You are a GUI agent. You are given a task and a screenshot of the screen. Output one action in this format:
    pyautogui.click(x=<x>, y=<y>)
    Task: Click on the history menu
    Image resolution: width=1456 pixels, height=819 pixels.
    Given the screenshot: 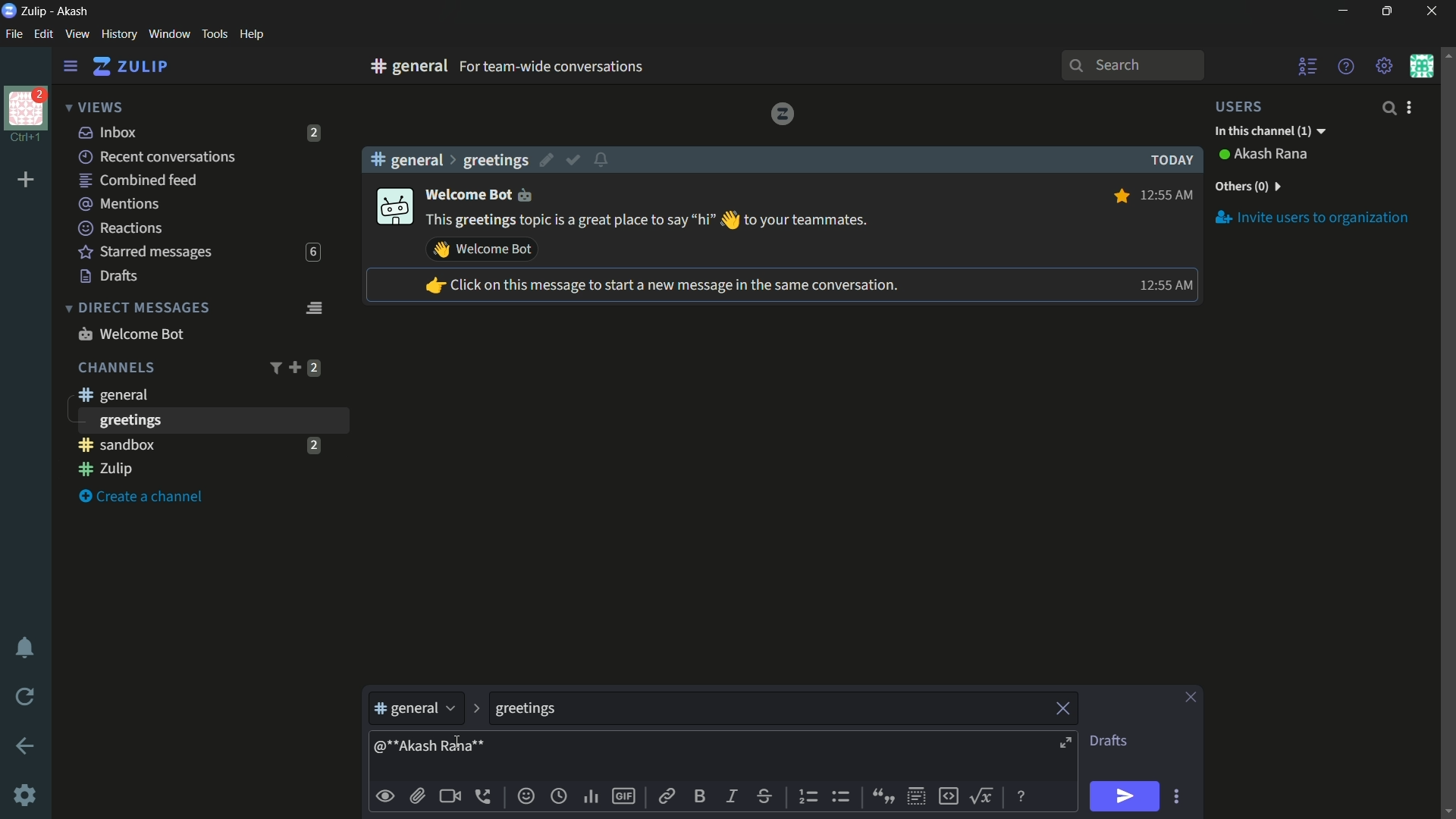 What is the action you would take?
    pyautogui.click(x=119, y=33)
    